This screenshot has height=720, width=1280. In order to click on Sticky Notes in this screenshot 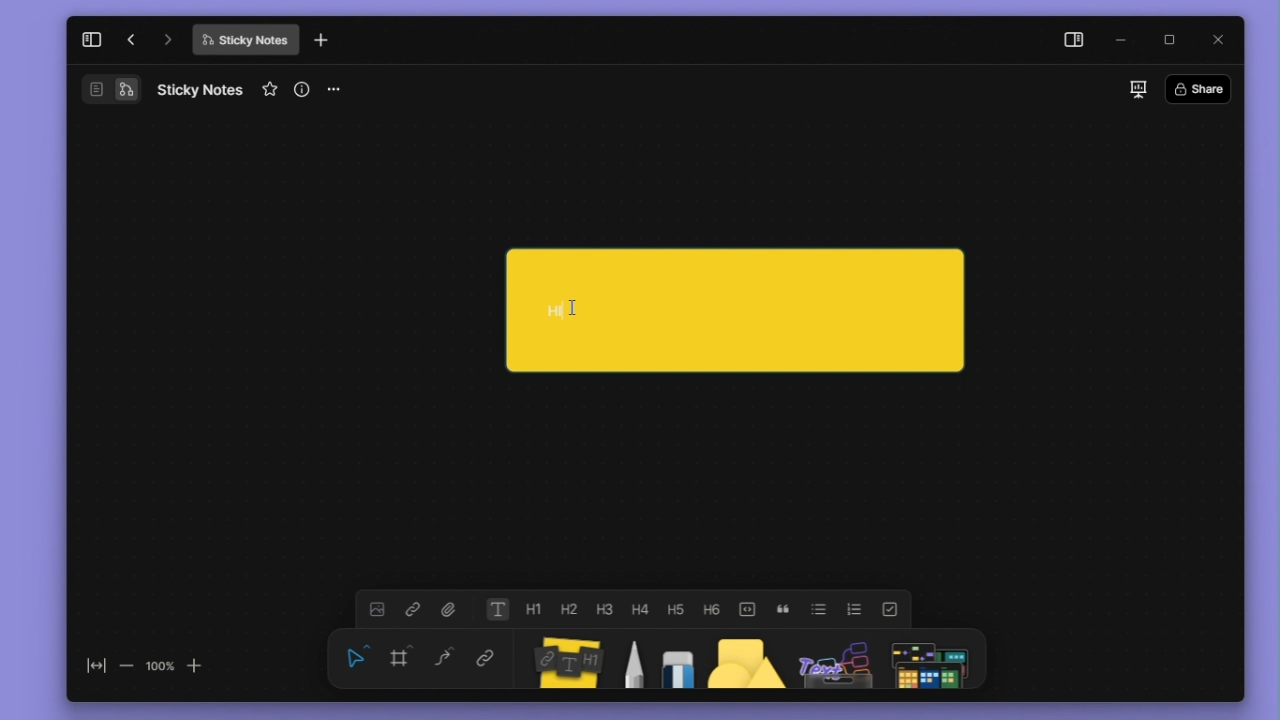, I will do `click(204, 89)`.